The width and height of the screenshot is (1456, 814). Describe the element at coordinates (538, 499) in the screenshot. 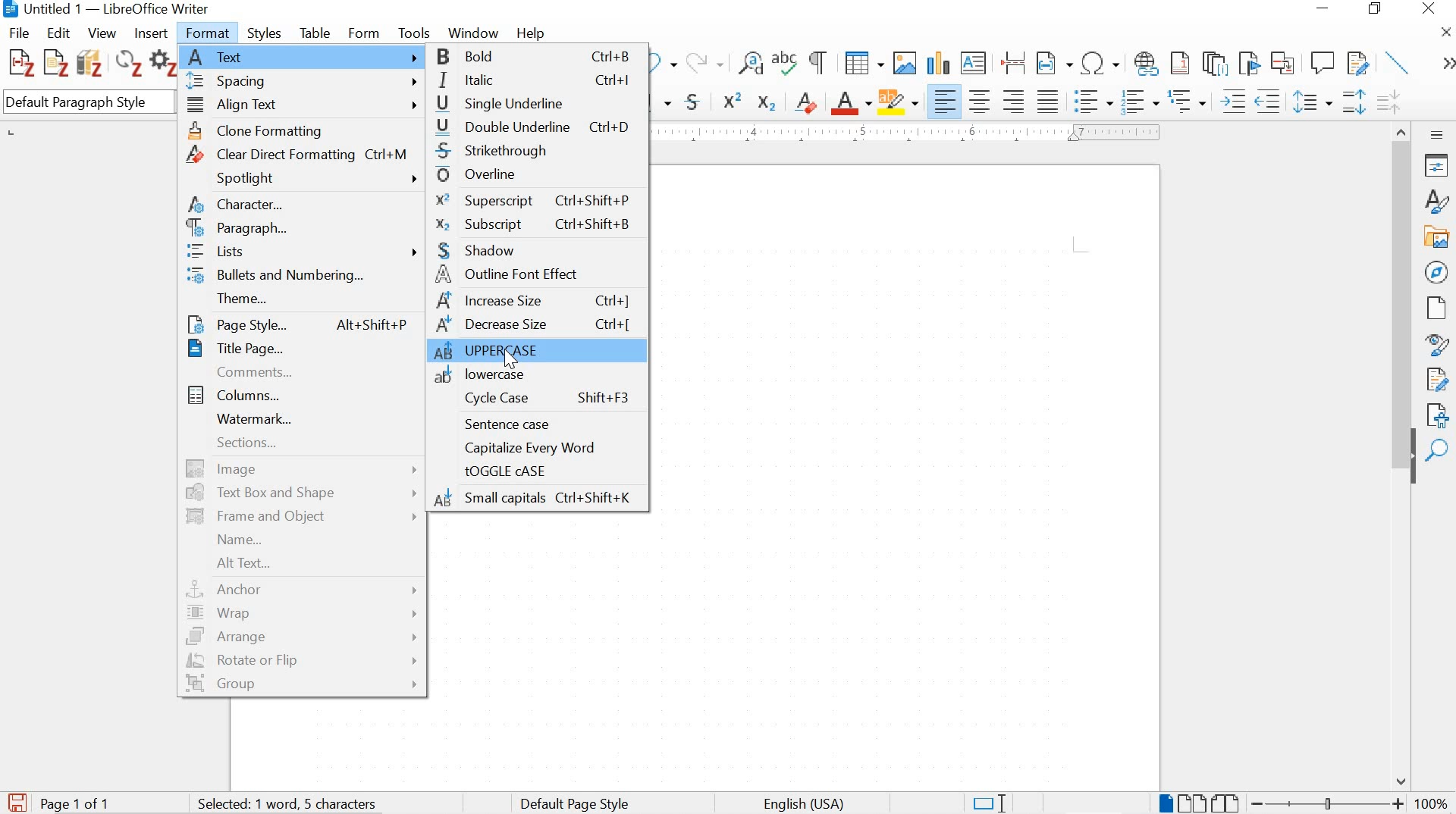

I see `small capitals` at that location.